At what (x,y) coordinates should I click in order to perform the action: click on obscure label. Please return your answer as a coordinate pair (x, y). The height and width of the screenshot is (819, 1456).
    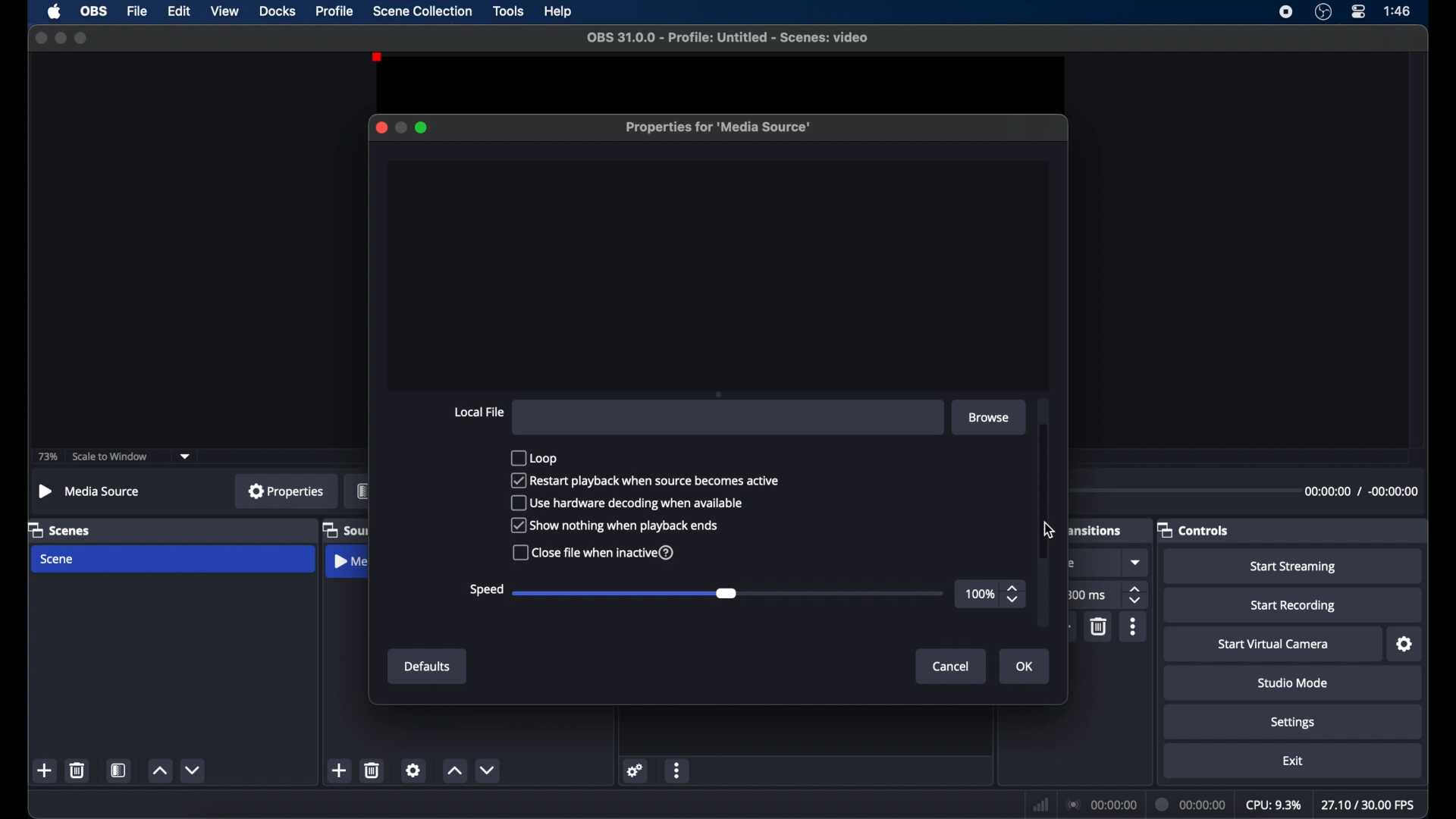
    Looking at the image, I should click on (345, 531).